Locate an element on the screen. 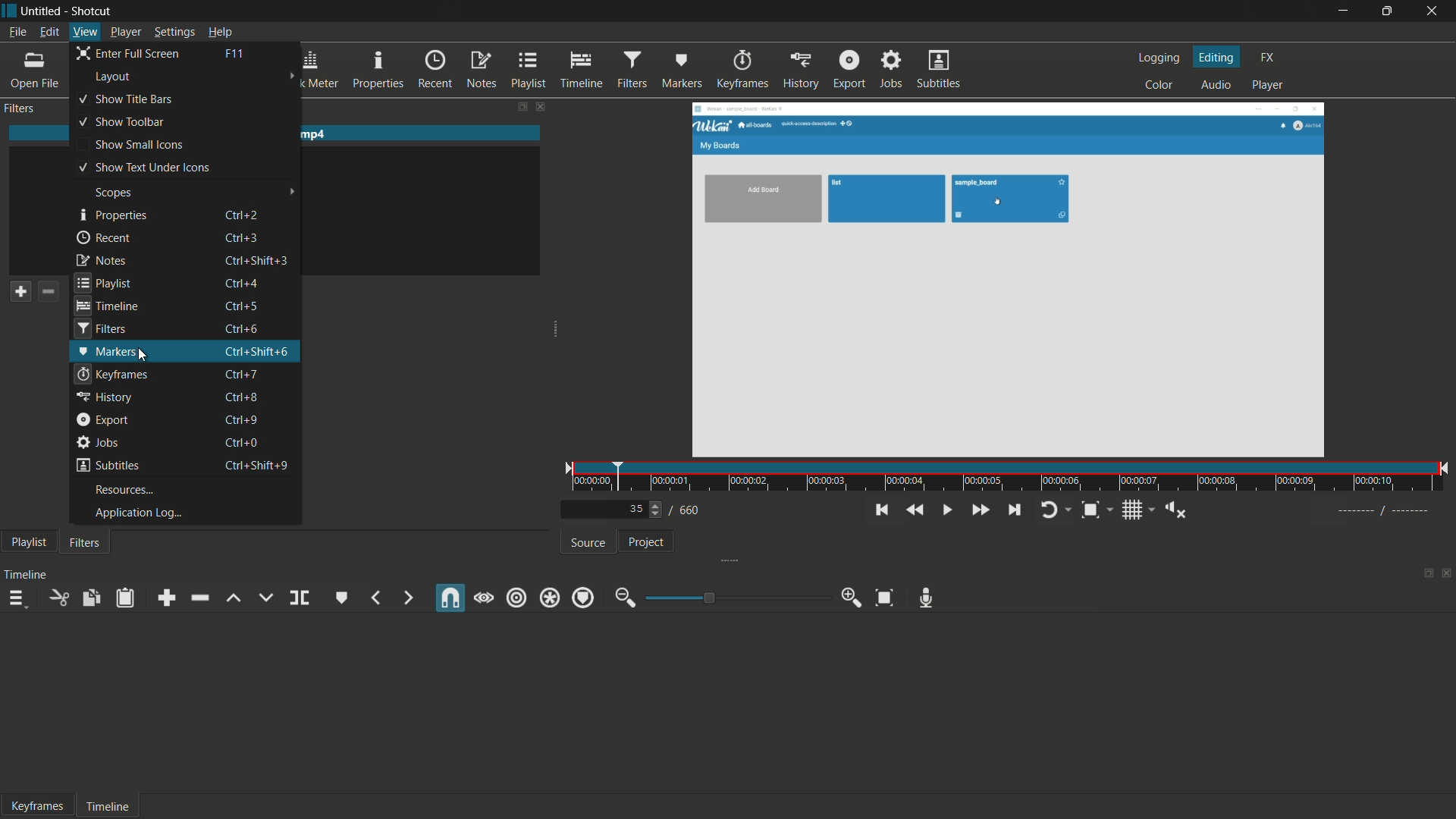 The width and height of the screenshot is (1456, 819). open file is located at coordinates (33, 71).